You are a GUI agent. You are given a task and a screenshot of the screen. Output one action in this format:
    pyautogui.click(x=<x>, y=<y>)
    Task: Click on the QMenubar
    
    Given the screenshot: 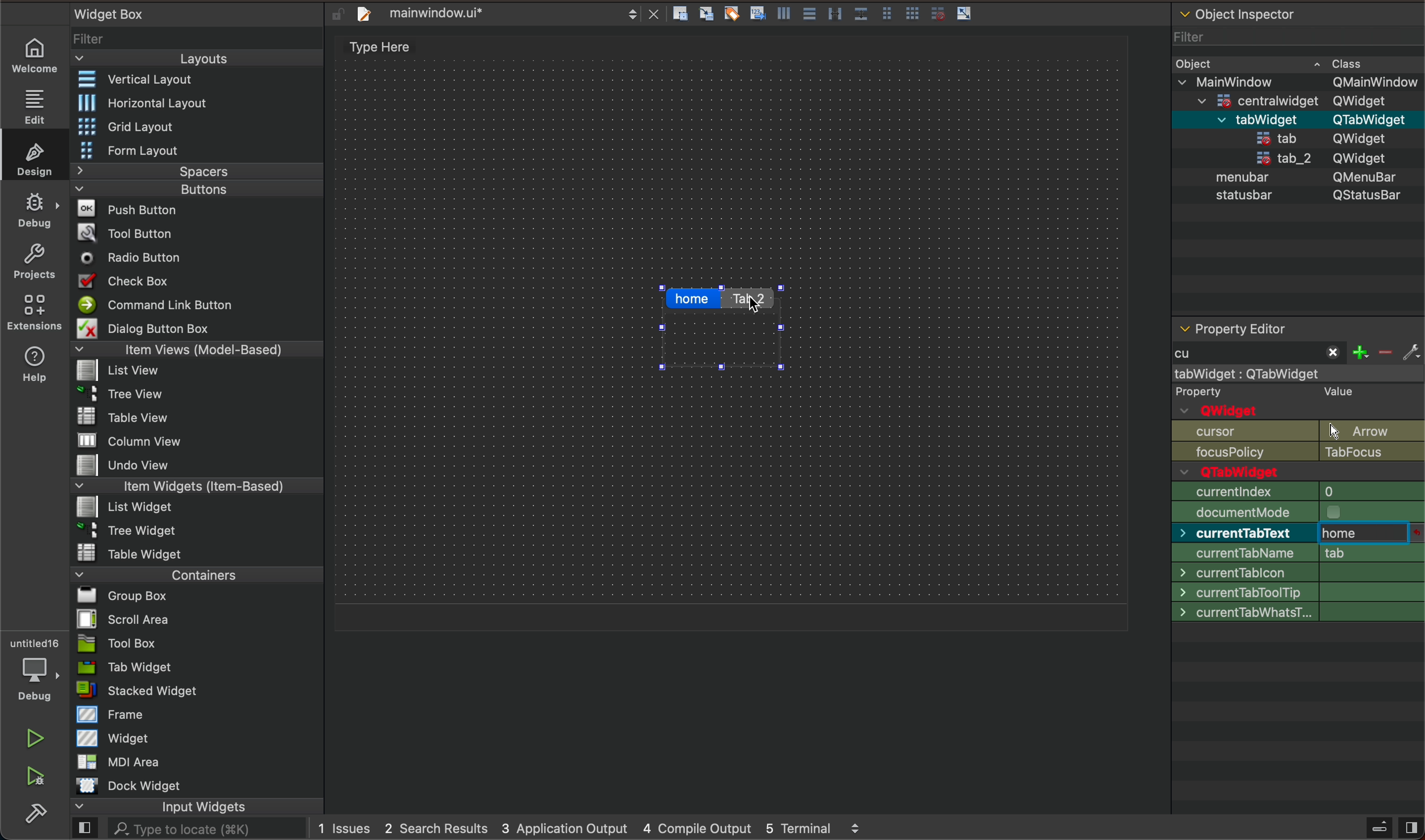 What is the action you would take?
    pyautogui.click(x=1355, y=179)
    